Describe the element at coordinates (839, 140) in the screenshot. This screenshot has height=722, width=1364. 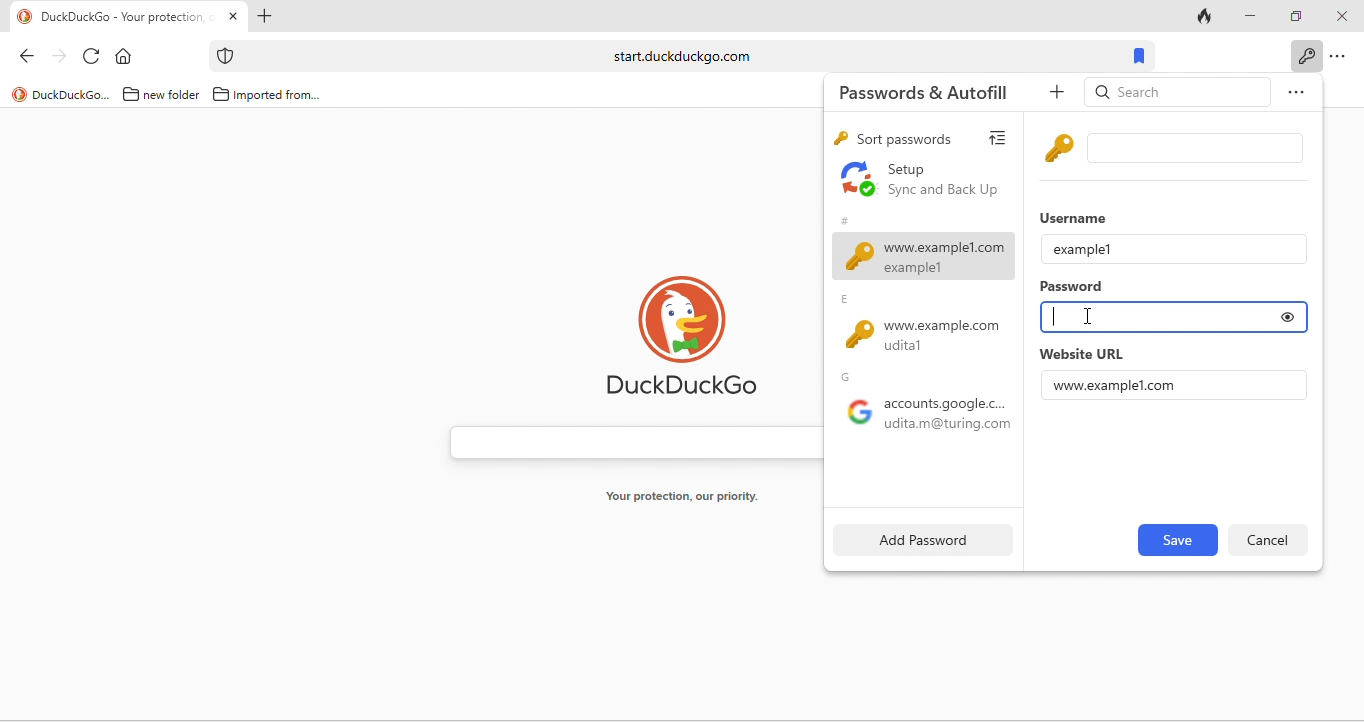
I see `key` at that location.